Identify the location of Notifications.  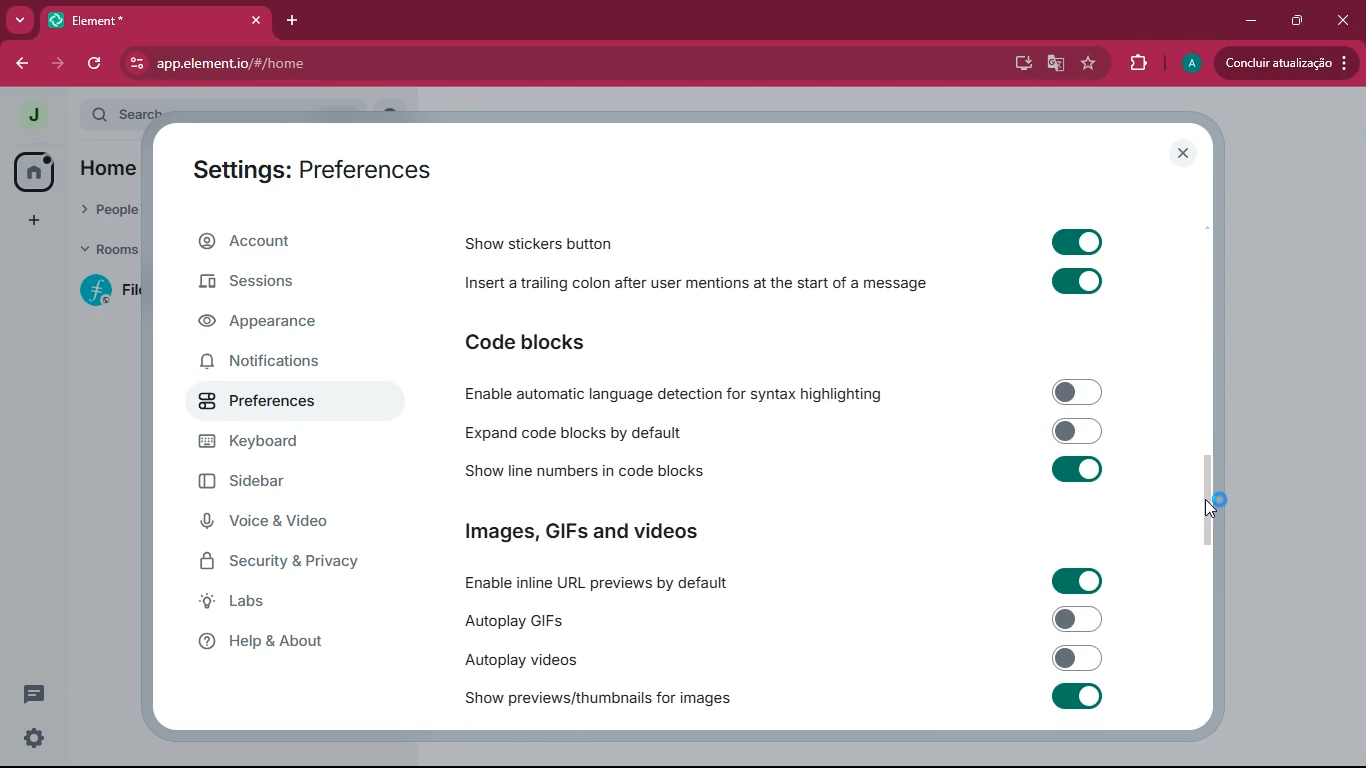
(259, 362).